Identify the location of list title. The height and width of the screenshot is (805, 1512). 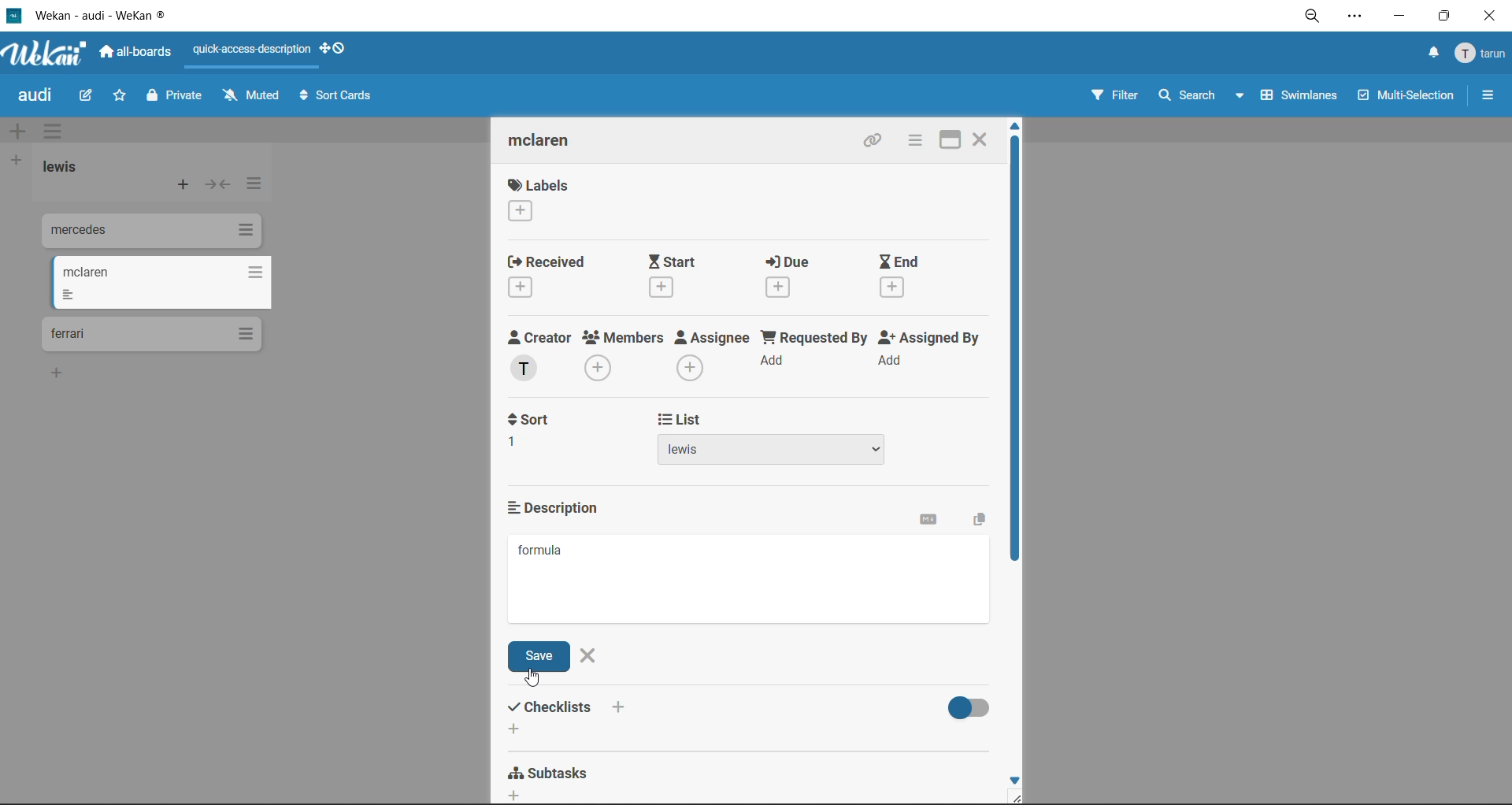
(67, 169).